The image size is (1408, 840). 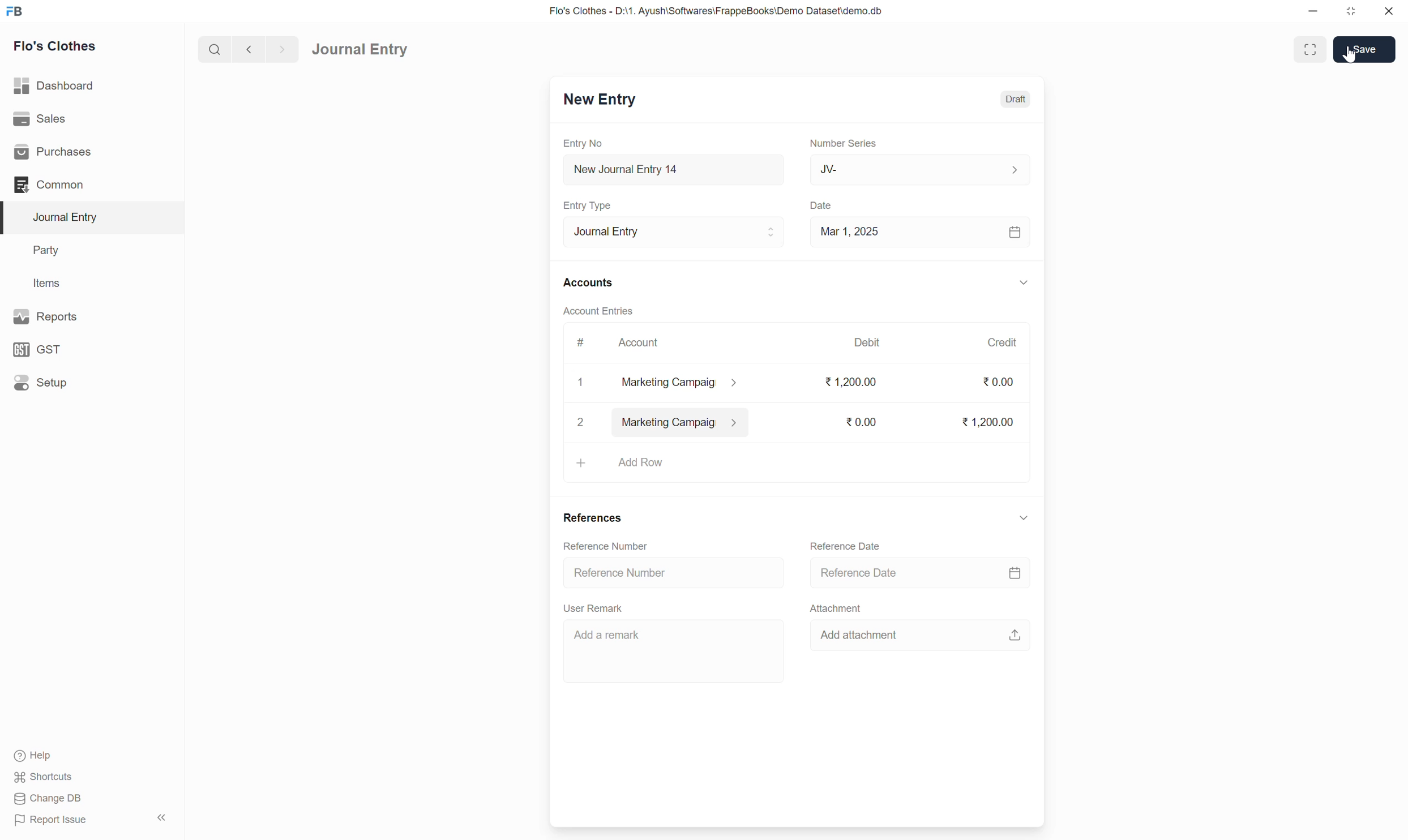 What do you see at coordinates (41, 382) in the screenshot?
I see `Setup` at bounding box center [41, 382].